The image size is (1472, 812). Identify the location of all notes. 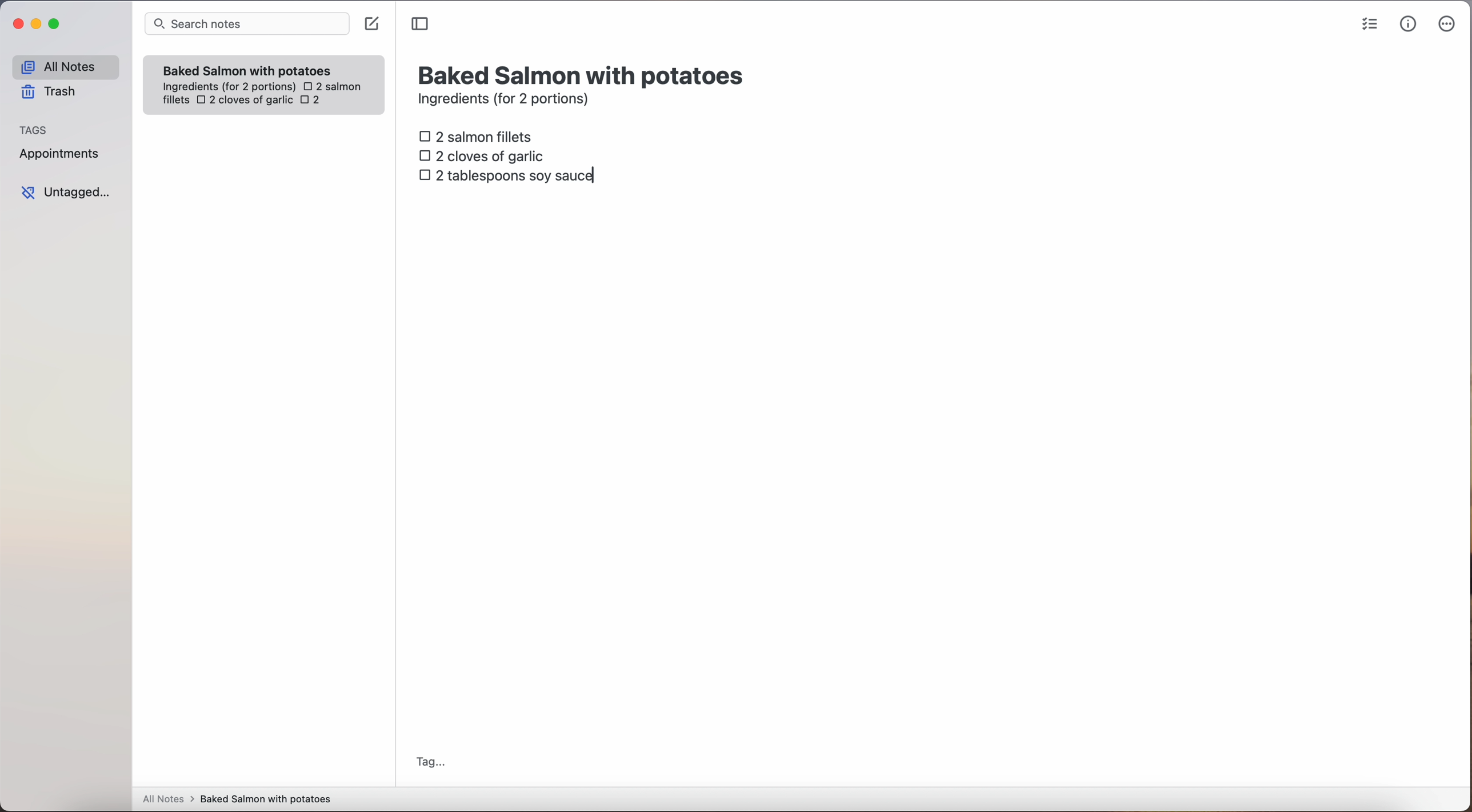
(65, 66).